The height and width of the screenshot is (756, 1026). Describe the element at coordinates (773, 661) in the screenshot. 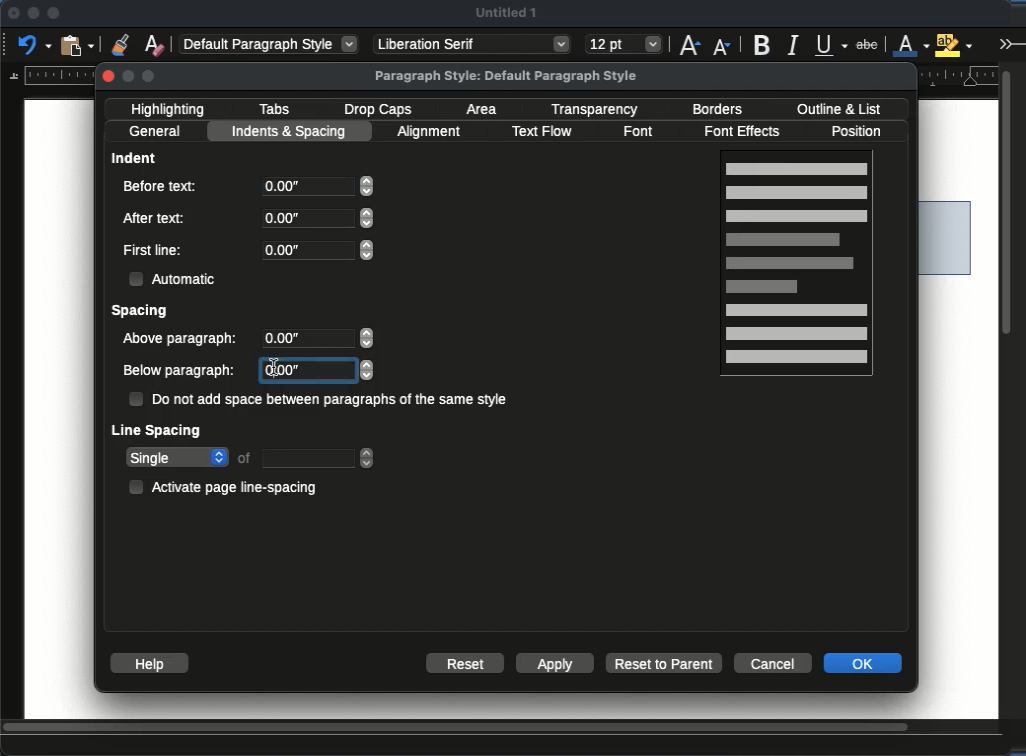

I see `cancel` at that location.